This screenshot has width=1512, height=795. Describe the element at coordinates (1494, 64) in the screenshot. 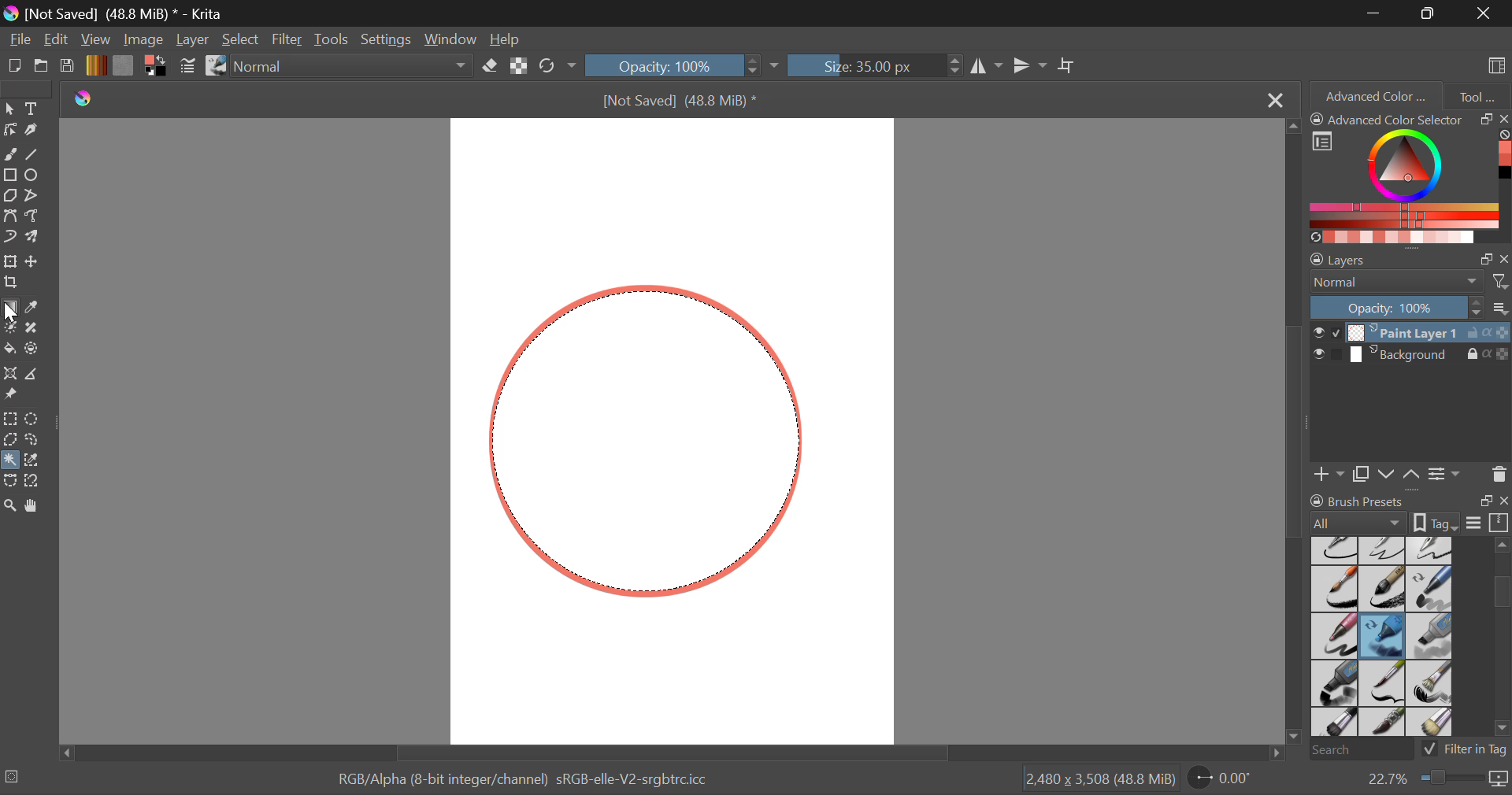

I see `Choose Workspace` at that location.